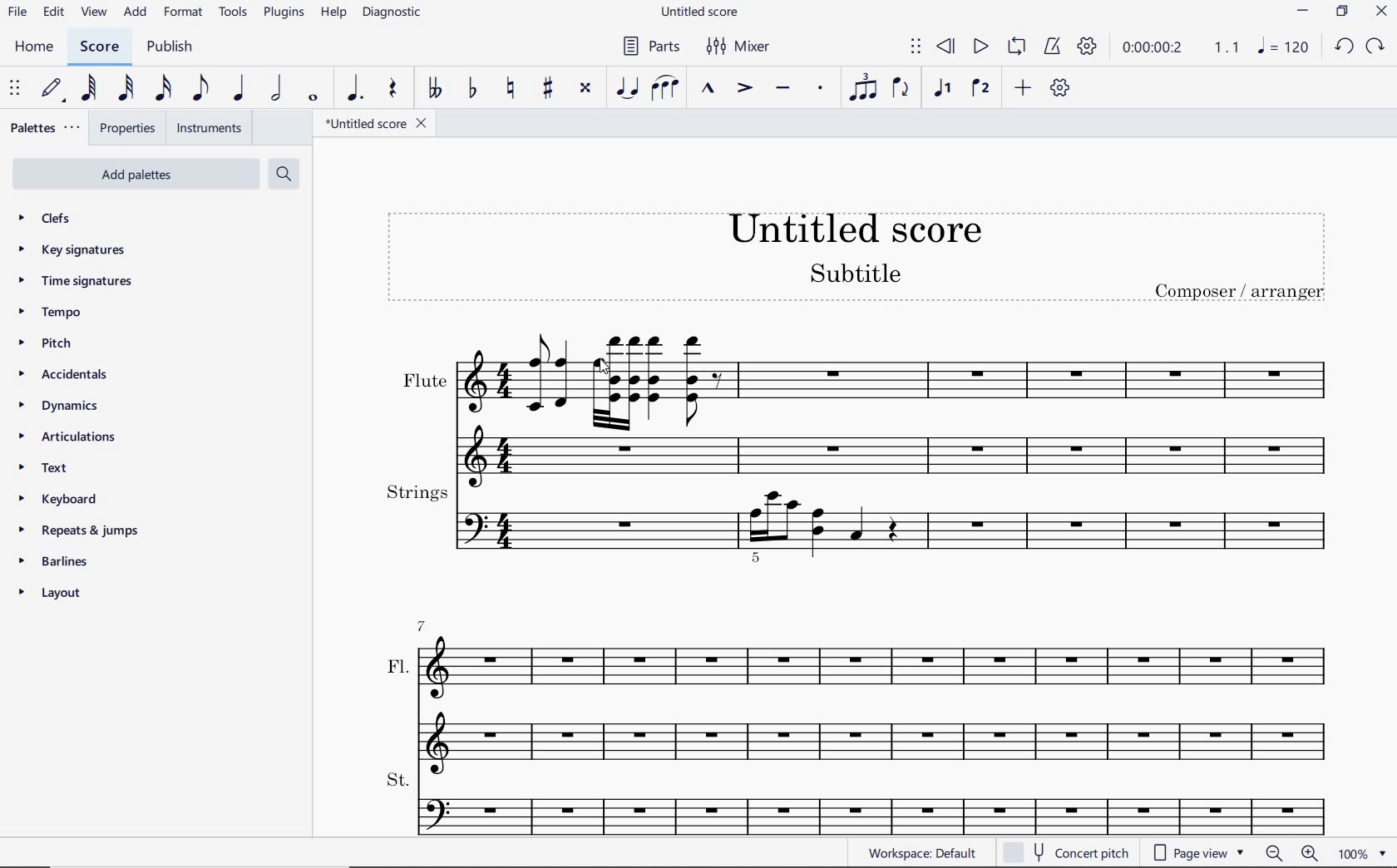 The height and width of the screenshot is (868, 1397). Describe the element at coordinates (434, 89) in the screenshot. I see `TOGGLE DOUBLE-FLAT` at that location.